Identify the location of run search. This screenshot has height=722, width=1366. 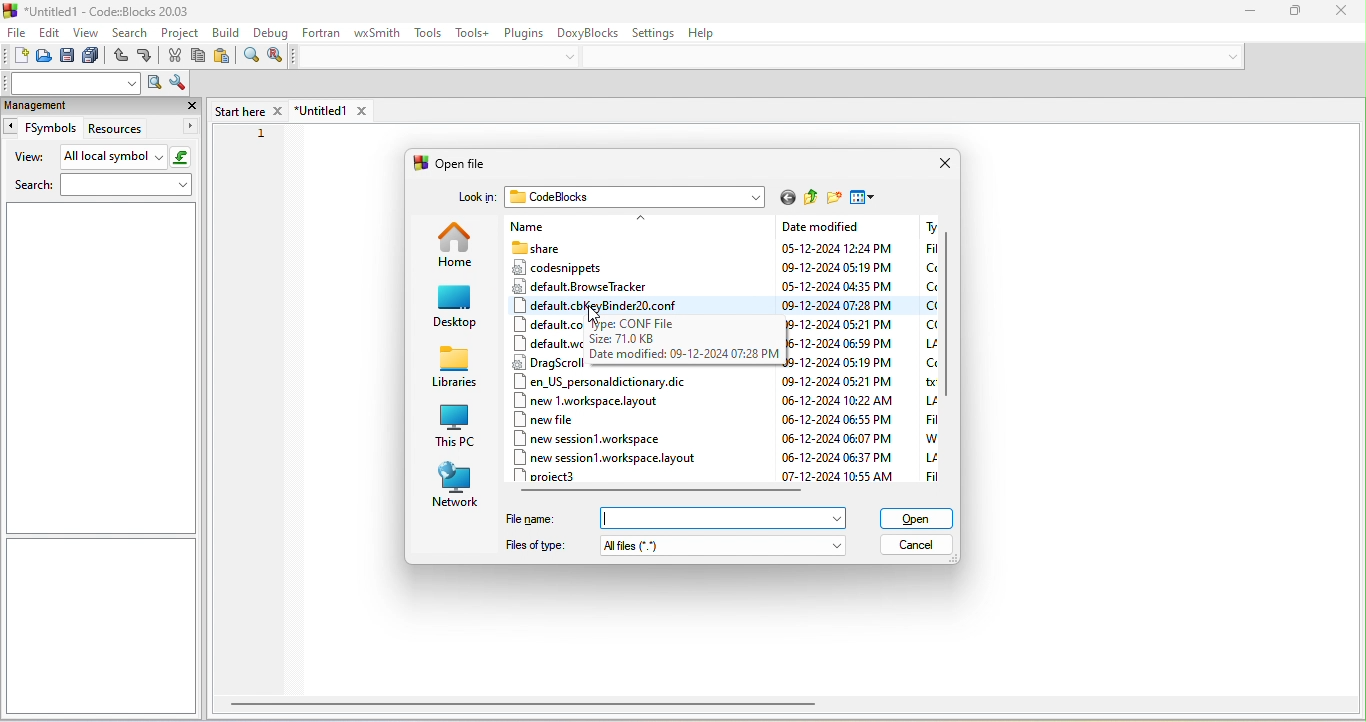
(153, 83).